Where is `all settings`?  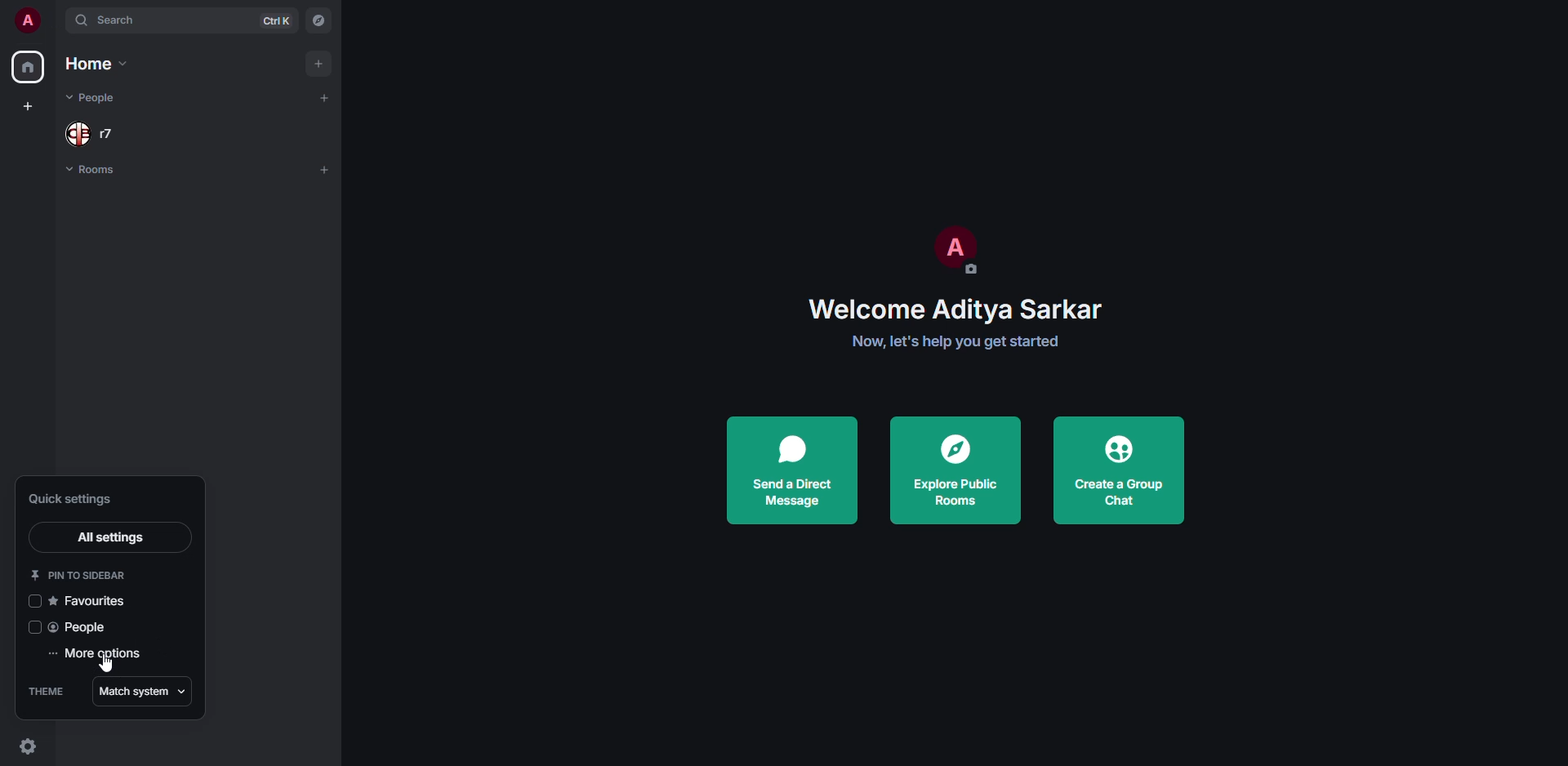 all settings is located at coordinates (110, 538).